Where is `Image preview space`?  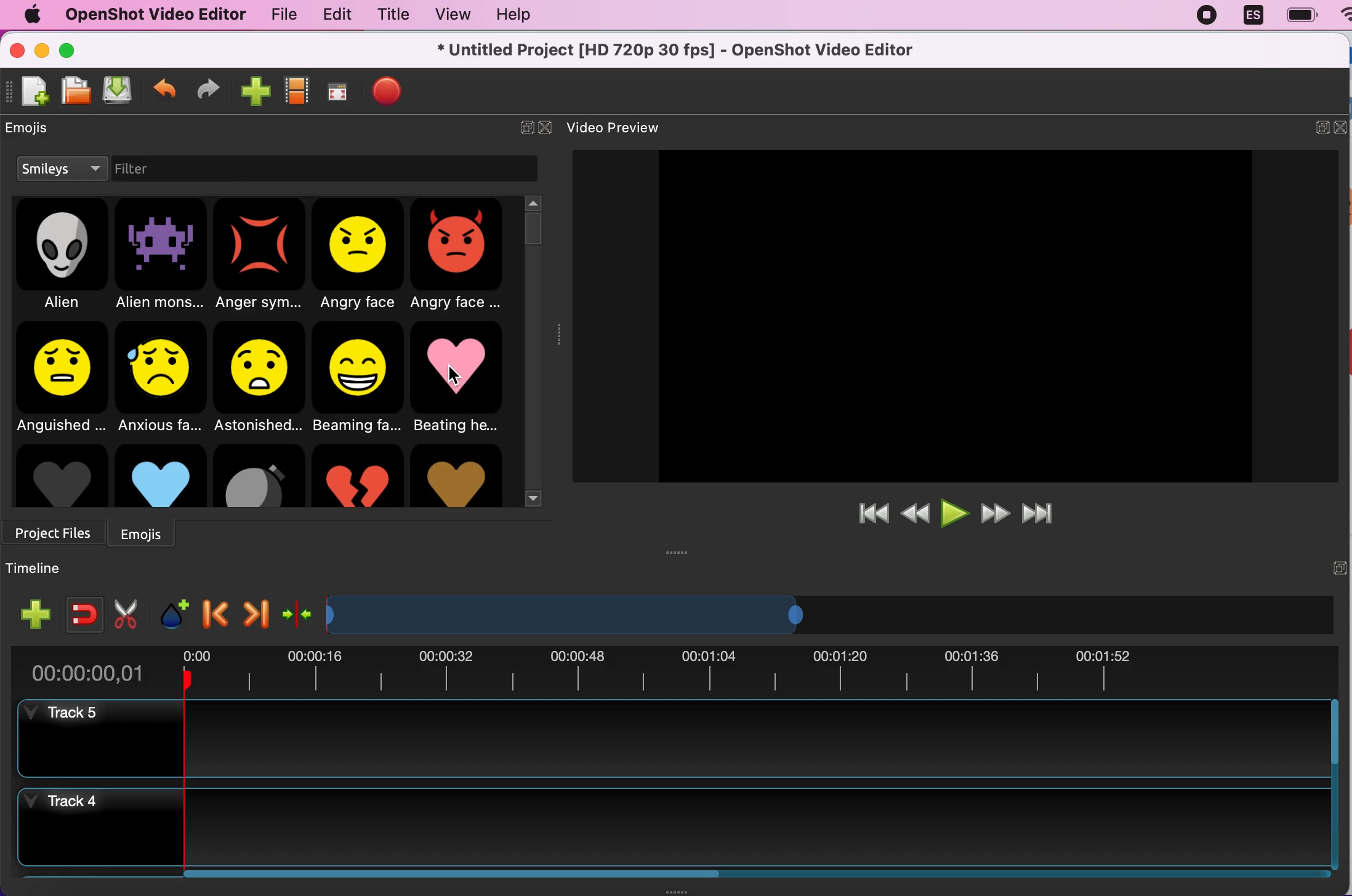
Image preview space is located at coordinates (952, 316).